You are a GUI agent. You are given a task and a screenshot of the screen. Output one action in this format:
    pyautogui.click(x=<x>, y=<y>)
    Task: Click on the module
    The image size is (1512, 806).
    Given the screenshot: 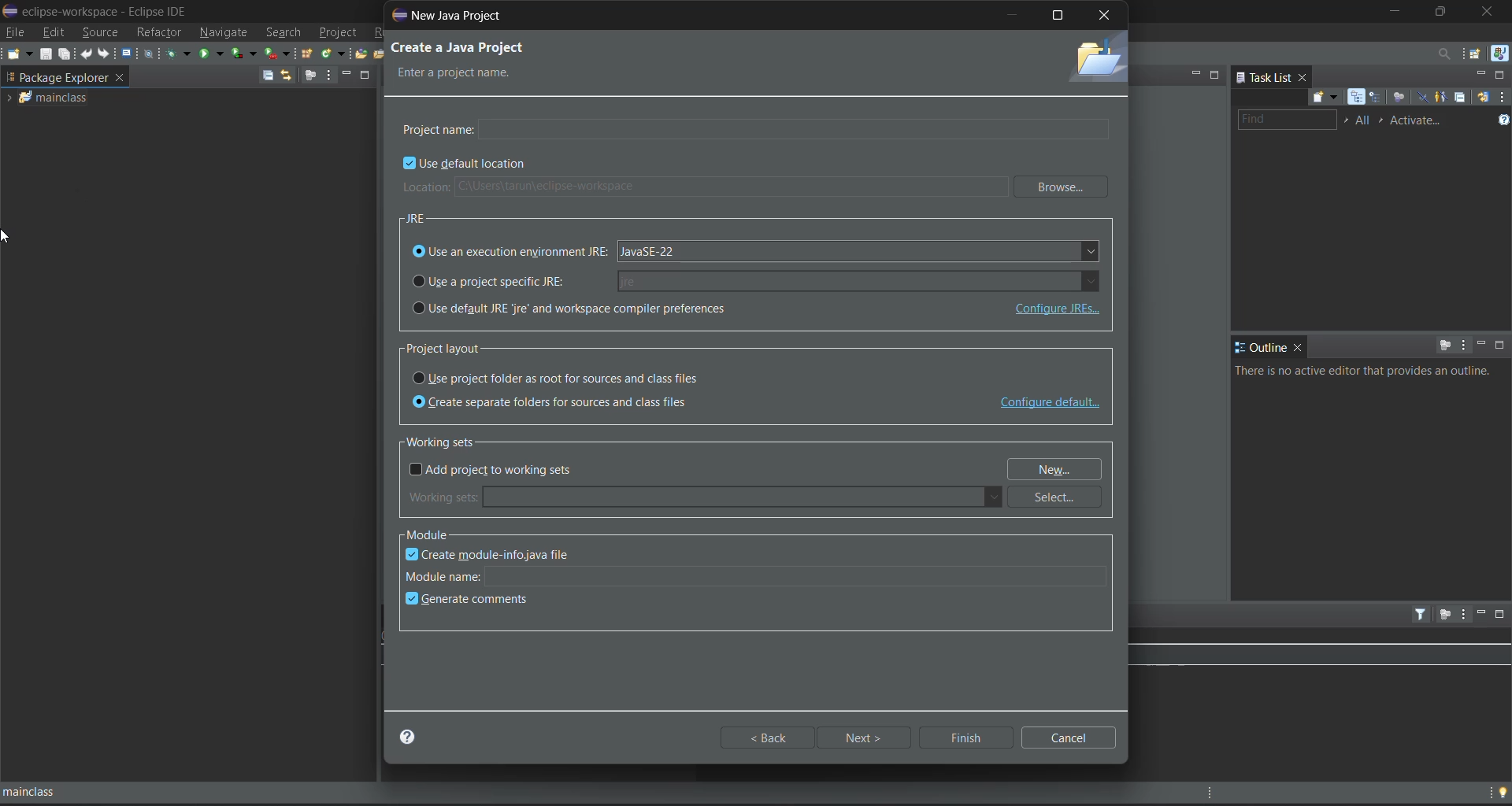 What is the action you would take?
    pyautogui.click(x=435, y=534)
    